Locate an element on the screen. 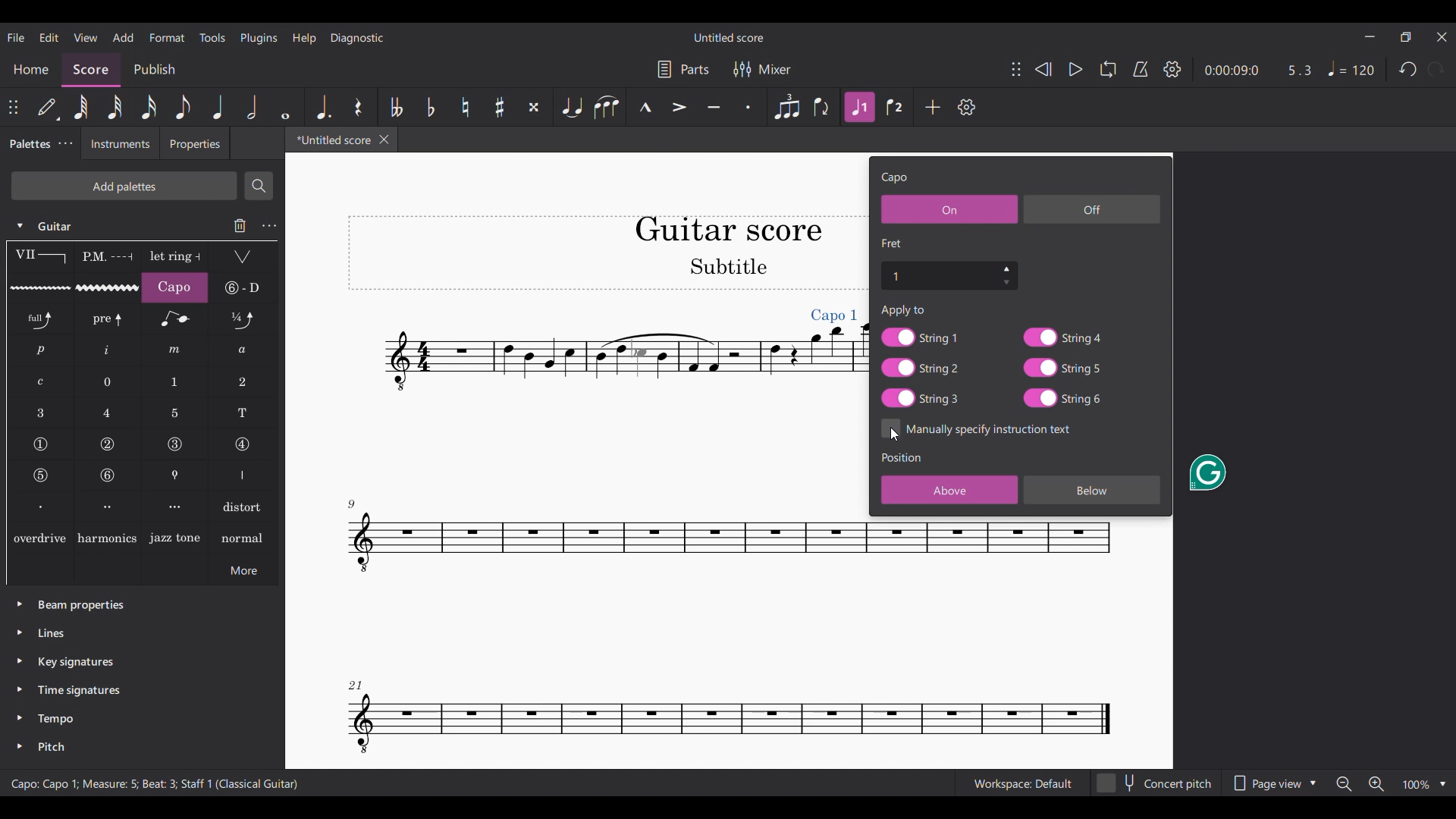  Home is located at coordinates (30, 70).